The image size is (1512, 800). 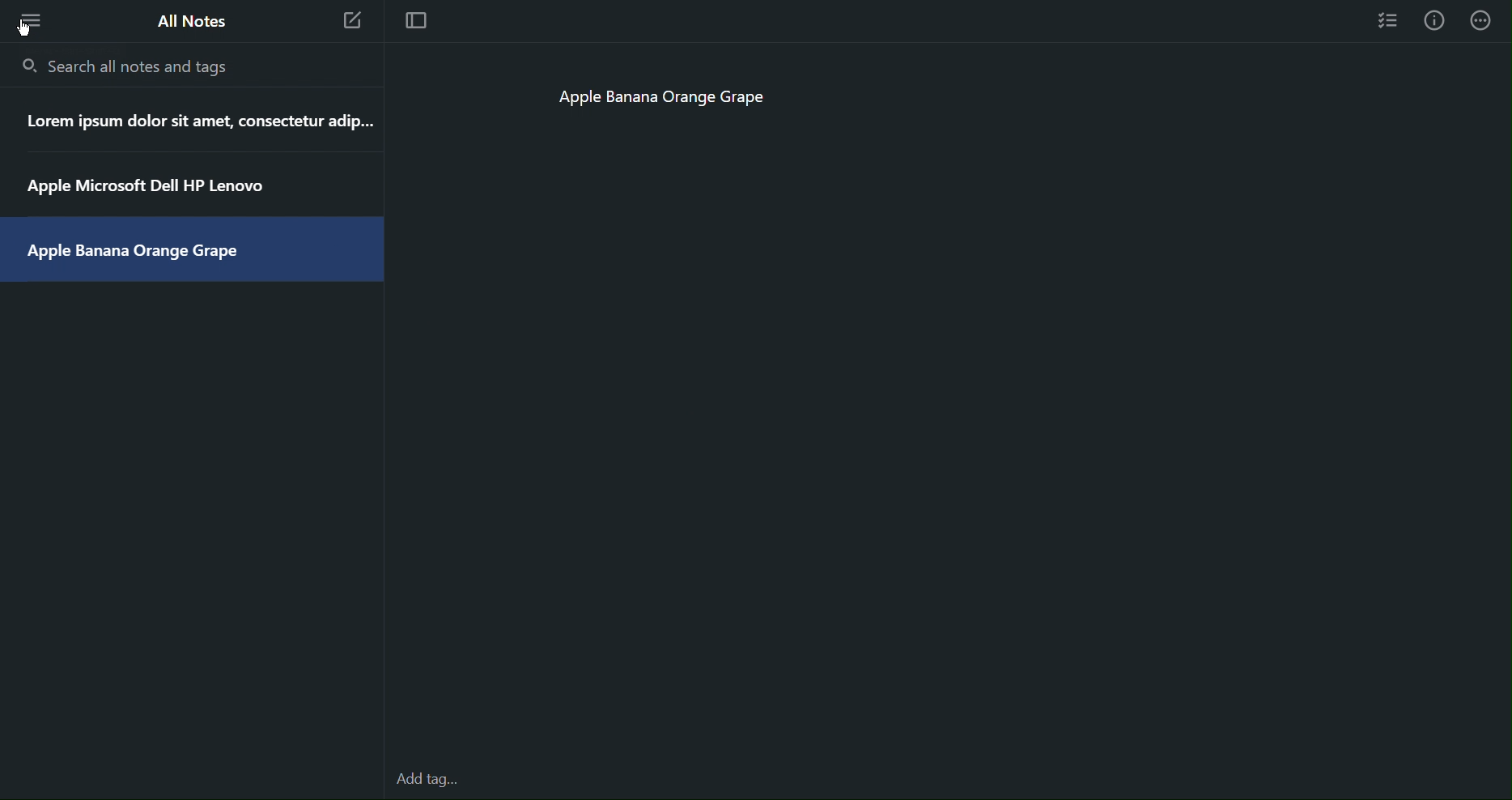 What do you see at coordinates (32, 28) in the screenshot?
I see `cursor` at bounding box center [32, 28].